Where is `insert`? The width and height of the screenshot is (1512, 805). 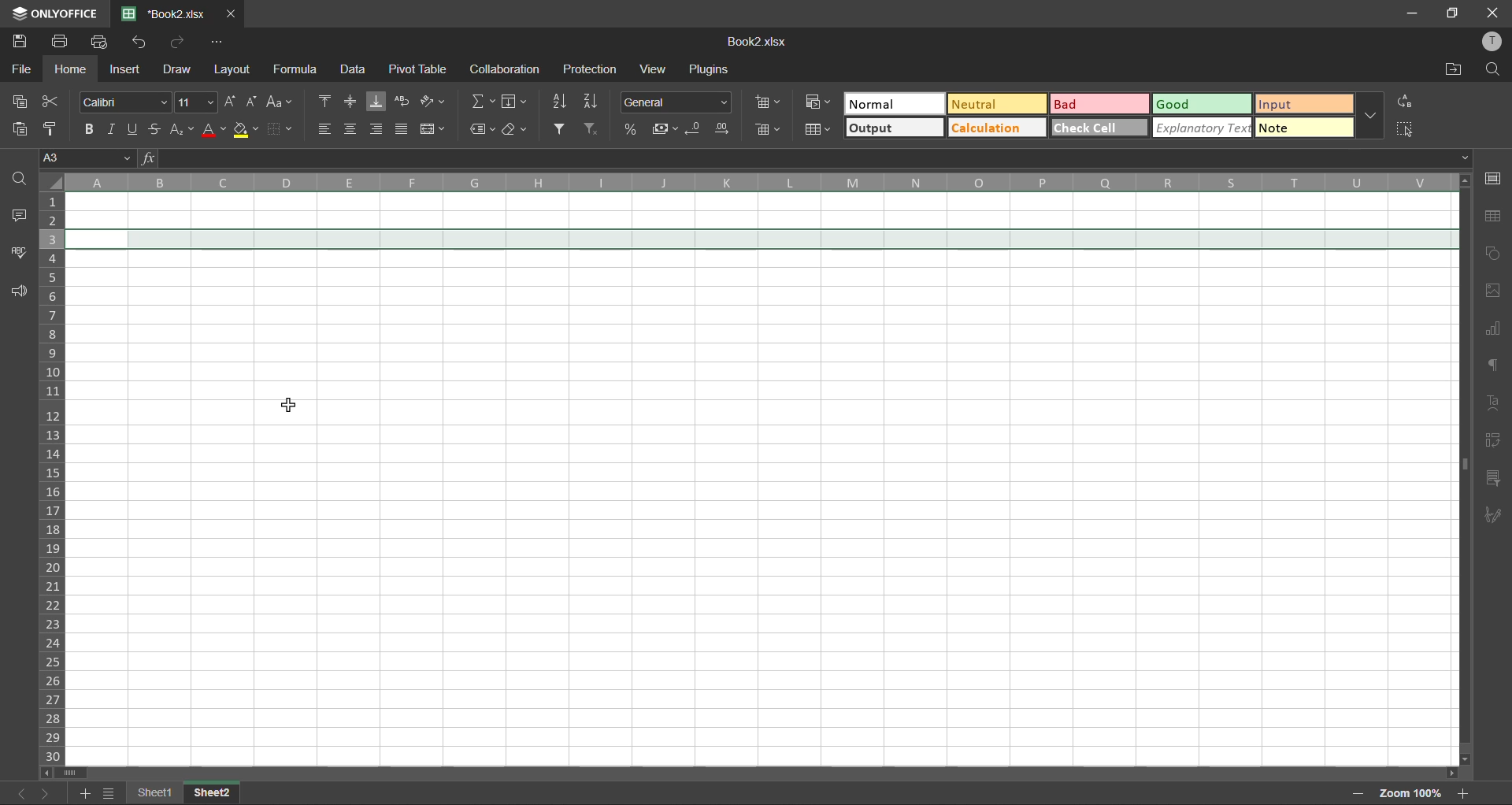
insert is located at coordinates (127, 68).